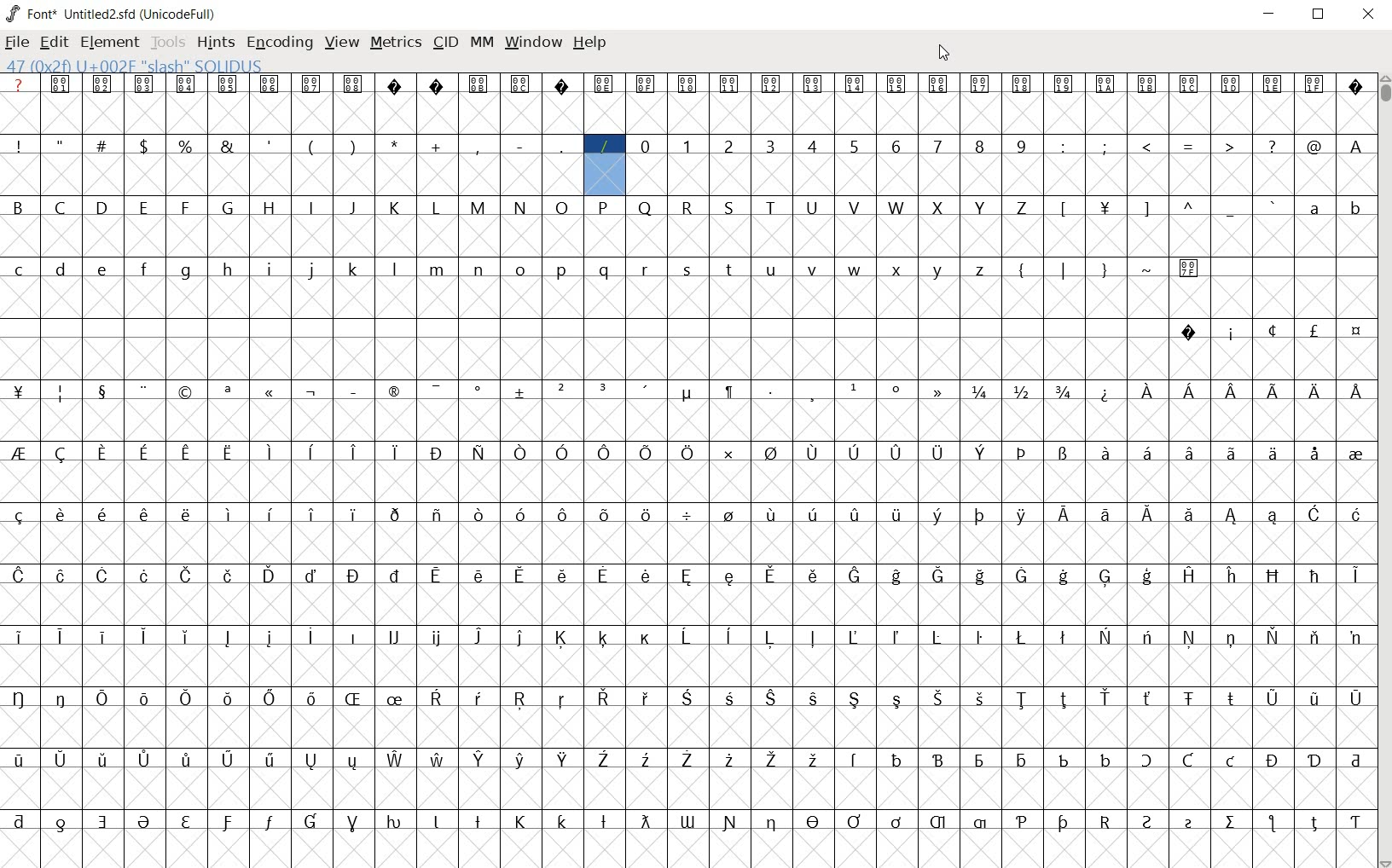  Describe the element at coordinates (1316, 454) in the screenshot. I see `glyph` at that location.